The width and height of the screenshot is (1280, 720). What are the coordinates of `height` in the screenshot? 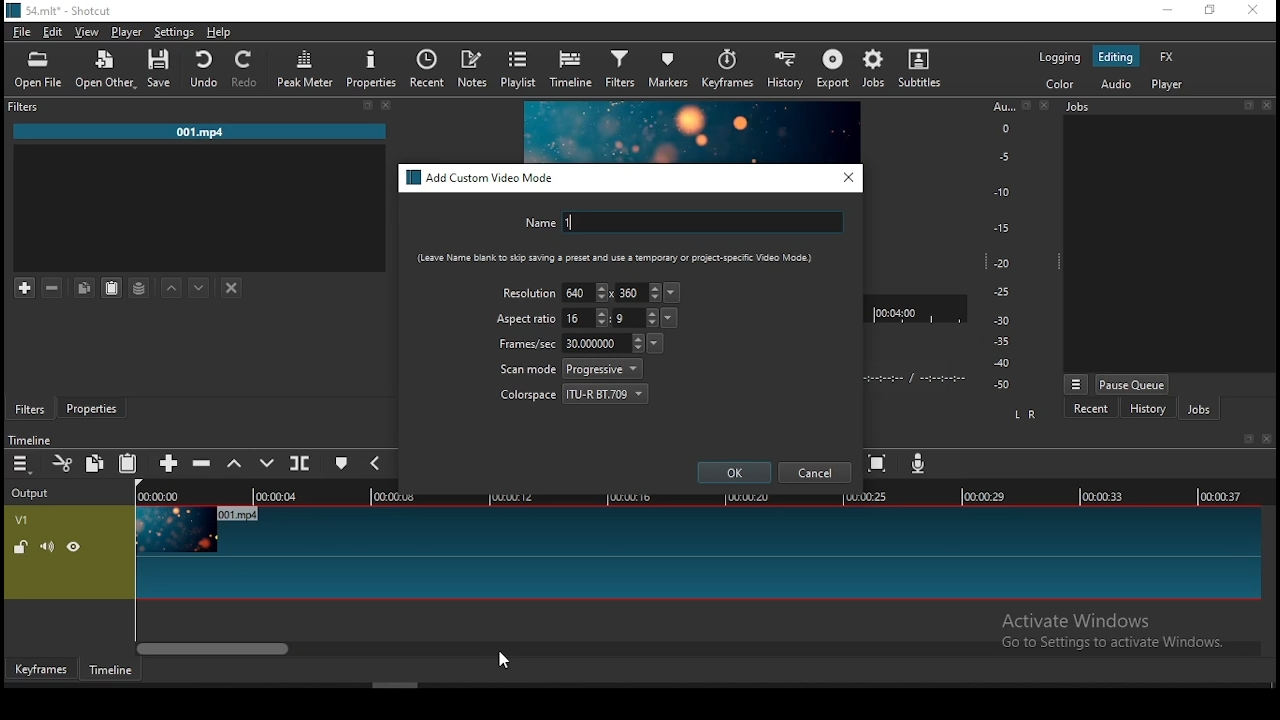 It's located at (639, 292).